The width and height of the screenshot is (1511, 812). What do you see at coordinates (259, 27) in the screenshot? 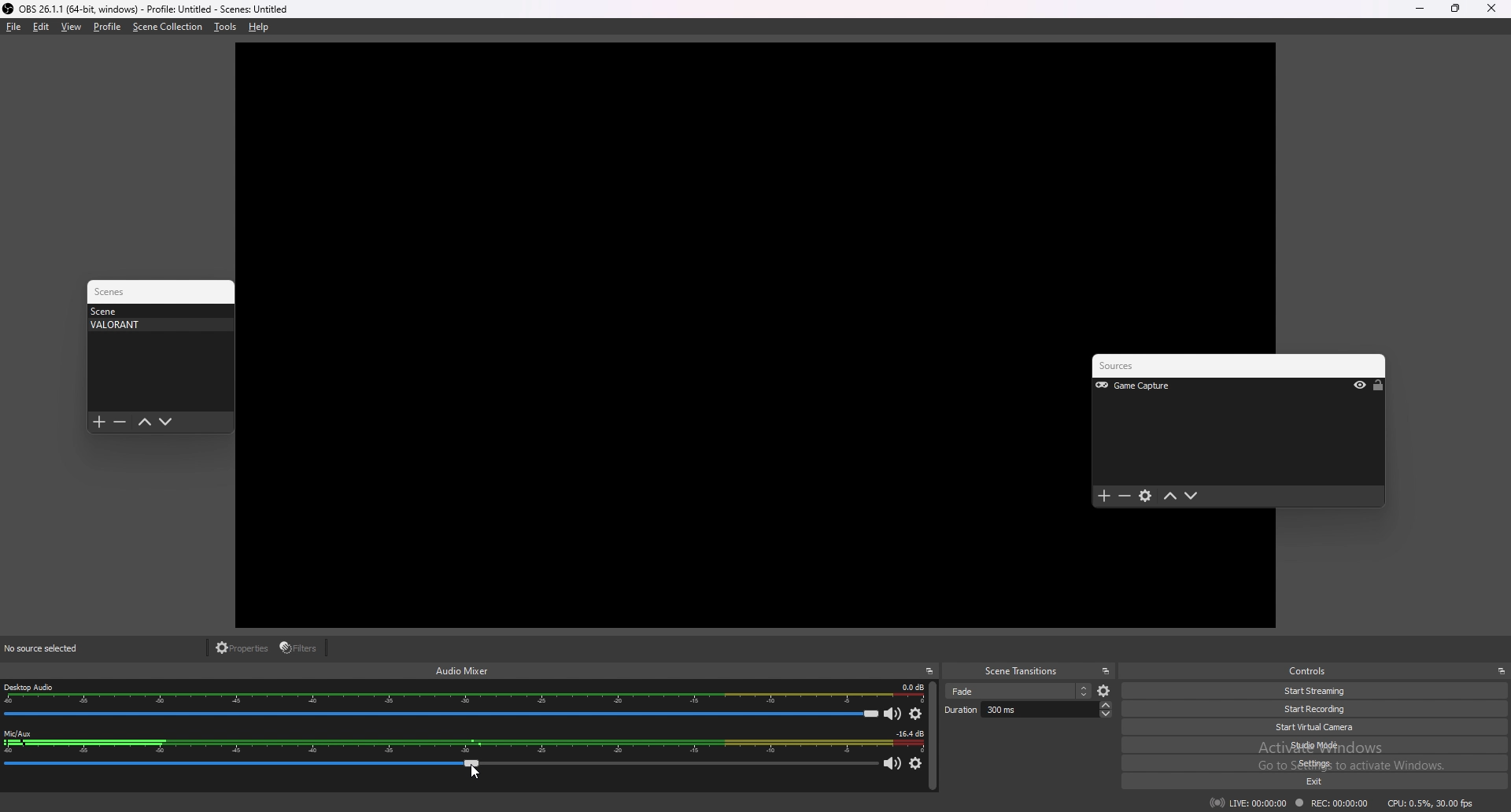
I see `help` at bounding box center [259, 27].